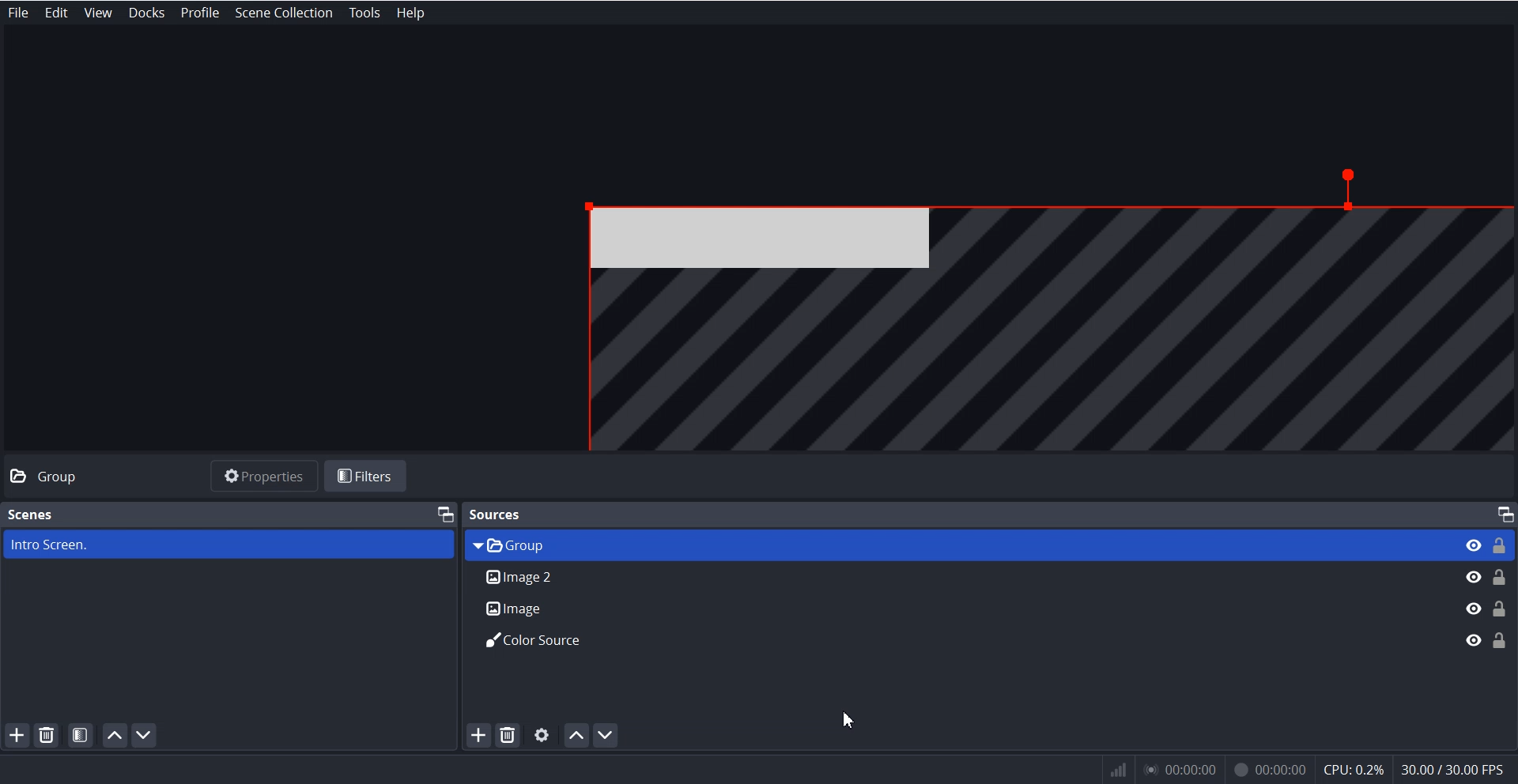 Image resolution: width=1518 pixels, height=784 pixels. I want to click on Group, so click(956, 545).